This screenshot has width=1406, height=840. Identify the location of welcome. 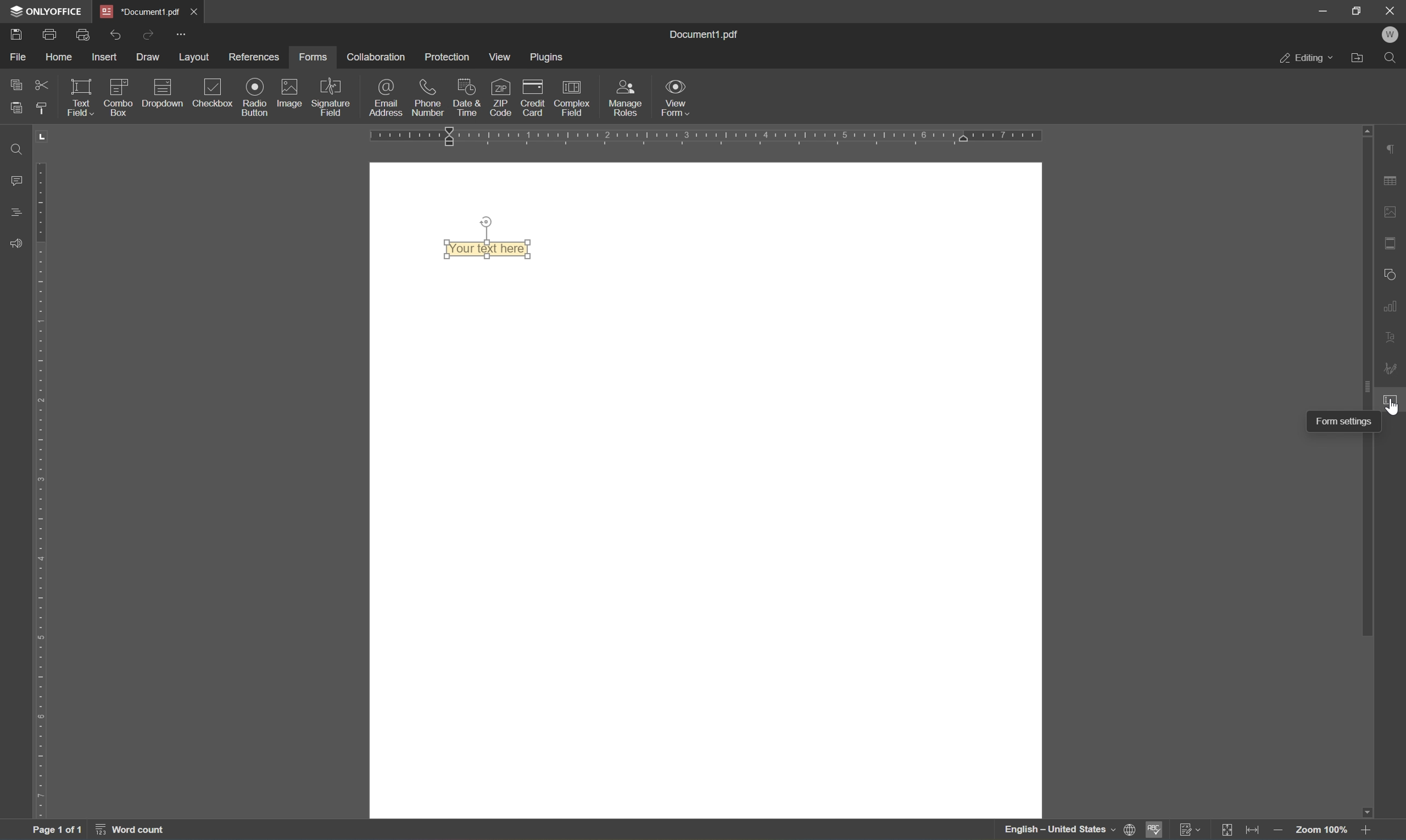
(1390, 36).